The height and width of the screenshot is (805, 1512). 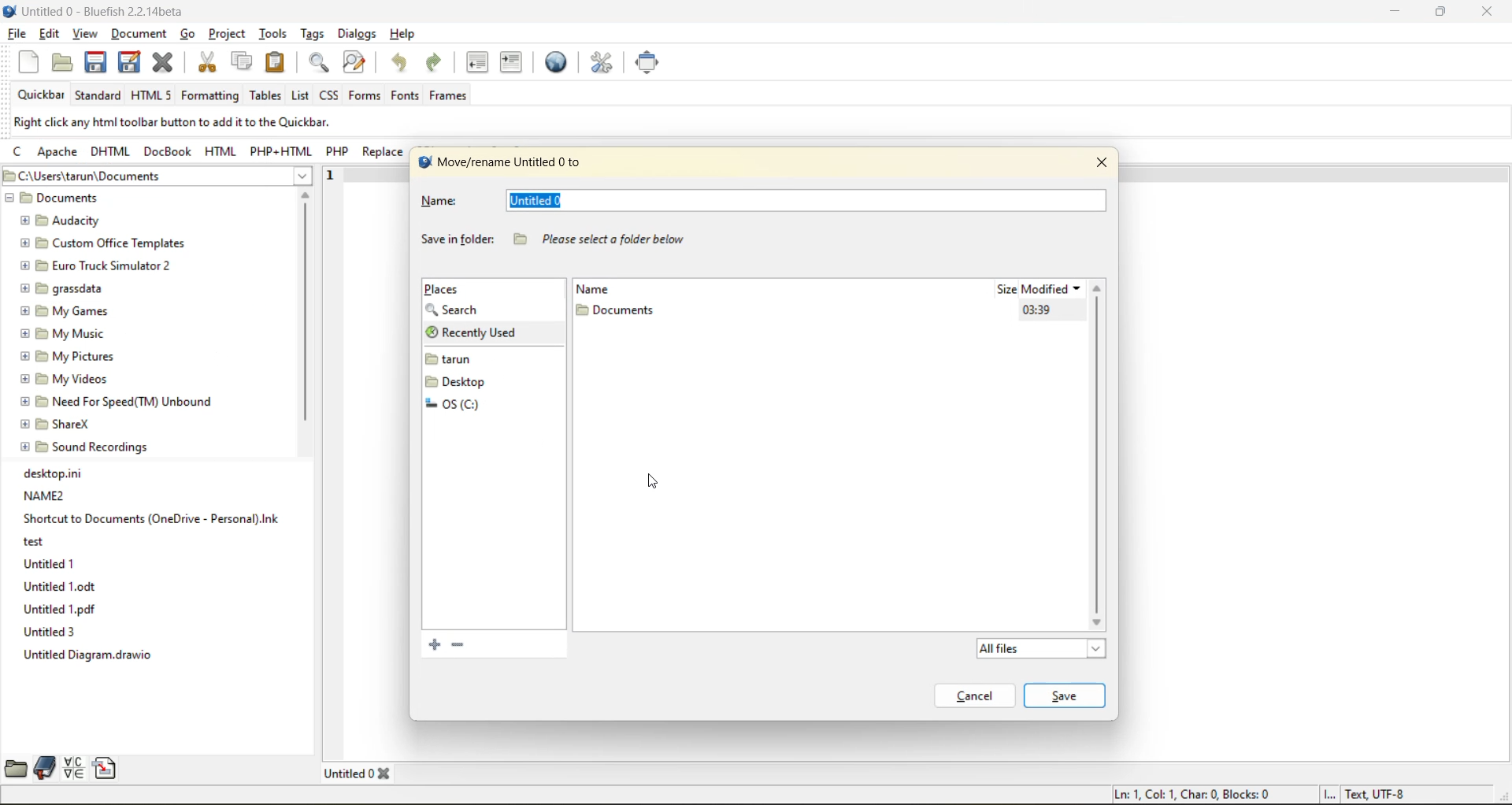 What do you see at coordinates (83, 446) in the screenshot?
I see `Sound Recordings` at bounding box center [83, 446].